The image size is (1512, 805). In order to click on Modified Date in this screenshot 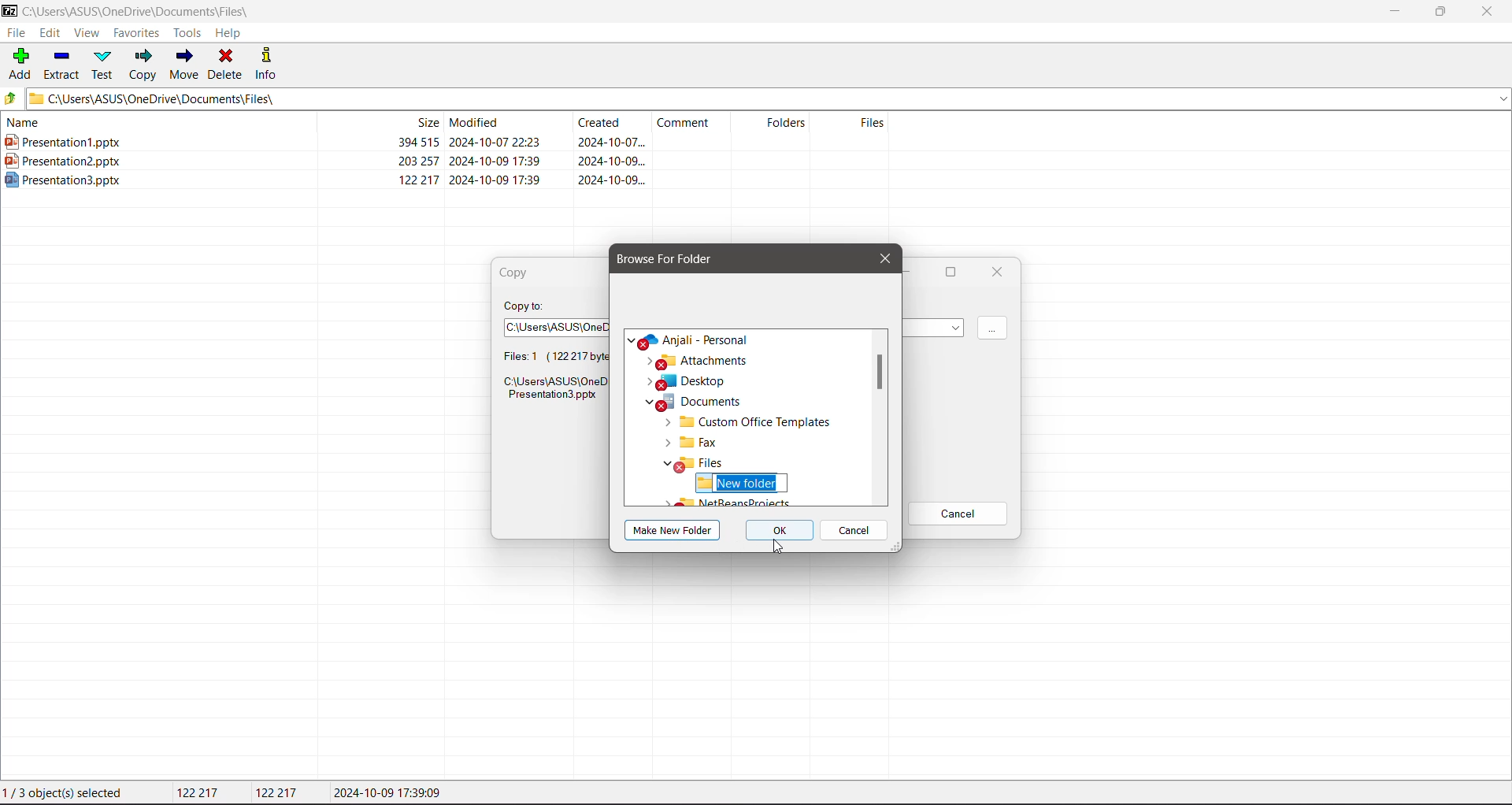, I will do `click(509, 122)`.